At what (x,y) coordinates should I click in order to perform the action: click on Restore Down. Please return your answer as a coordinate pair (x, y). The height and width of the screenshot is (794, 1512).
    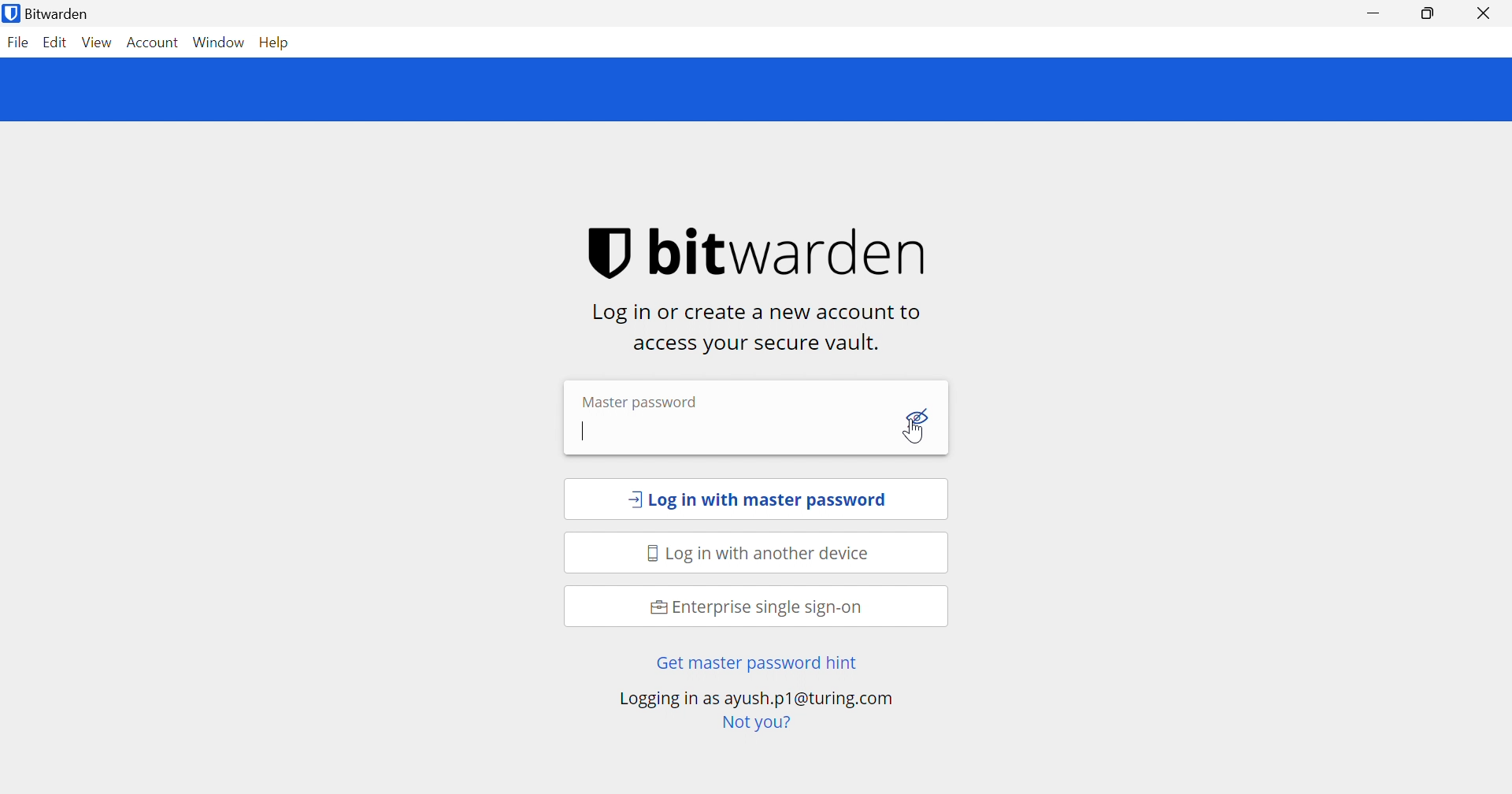
    Looking at the image, I should click on (1426, 13).